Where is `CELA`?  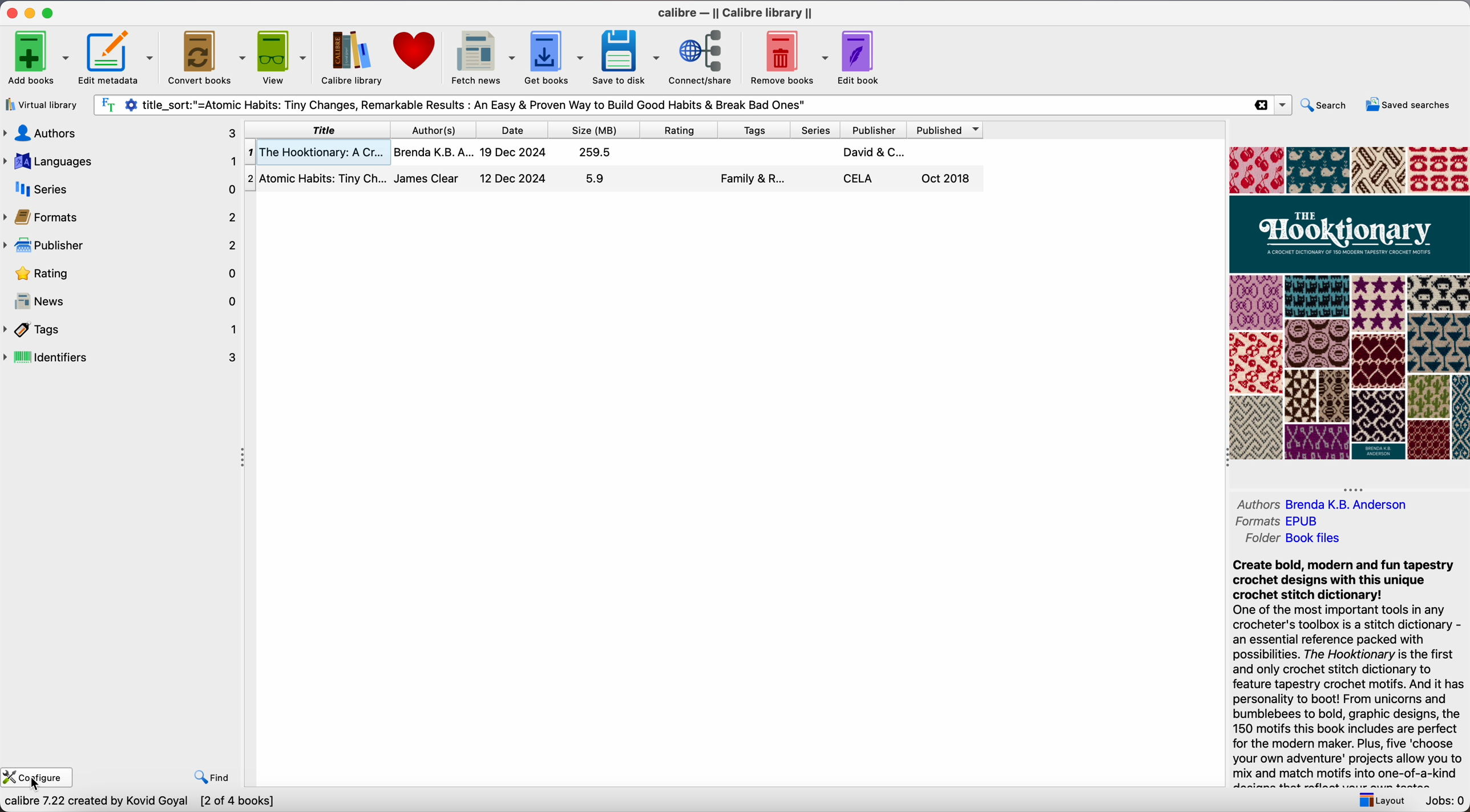
CELA is located at coordinates (859, 179).